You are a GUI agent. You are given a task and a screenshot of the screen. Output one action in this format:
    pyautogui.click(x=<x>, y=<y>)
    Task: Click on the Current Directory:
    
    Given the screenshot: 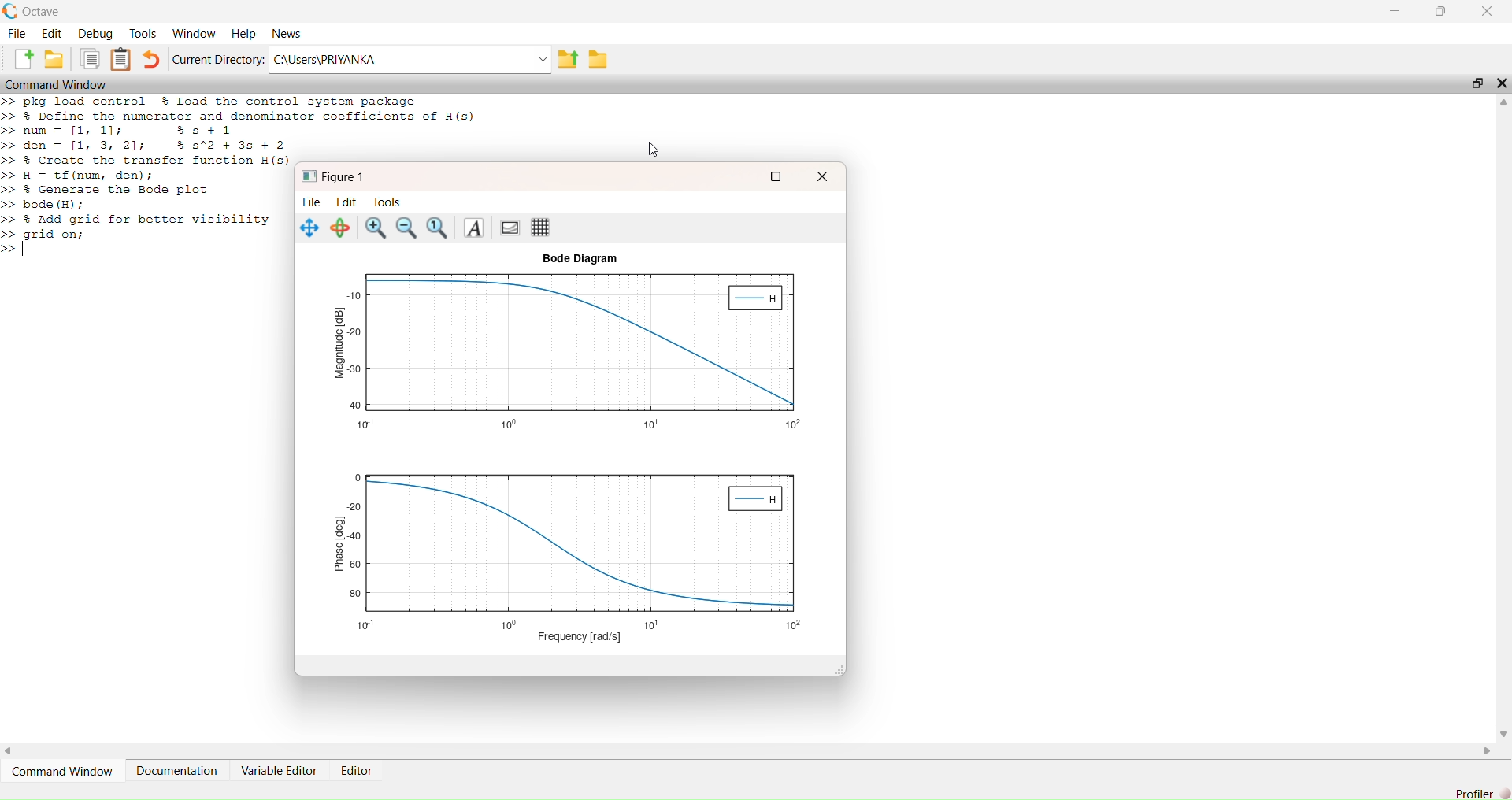 What is the action you would take?
    pyautogui.click(x=218, y=59)
    